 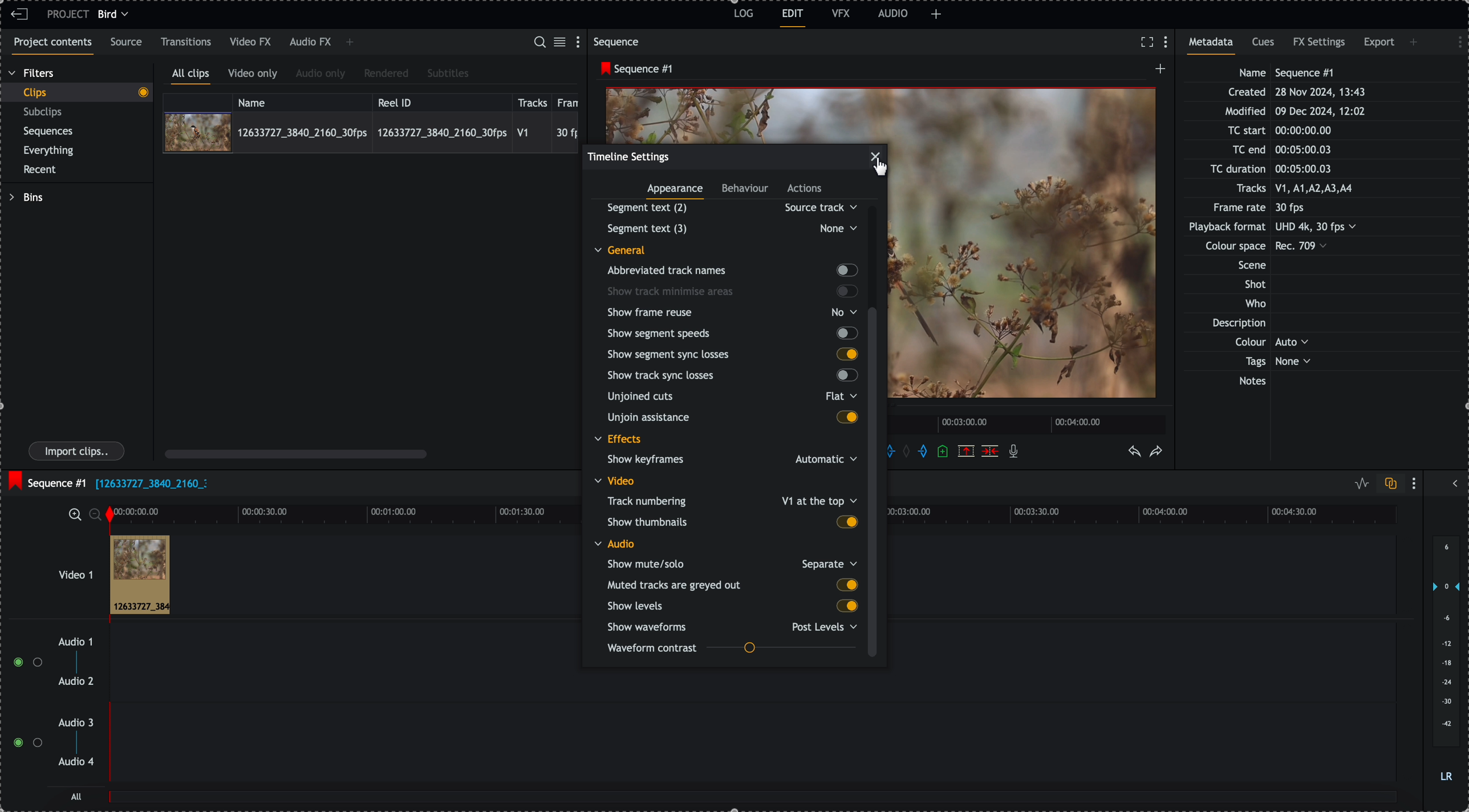 What do you see at coordinates (618, 481) in the screenshot?
I see `video` at bounding box center [618, 481].